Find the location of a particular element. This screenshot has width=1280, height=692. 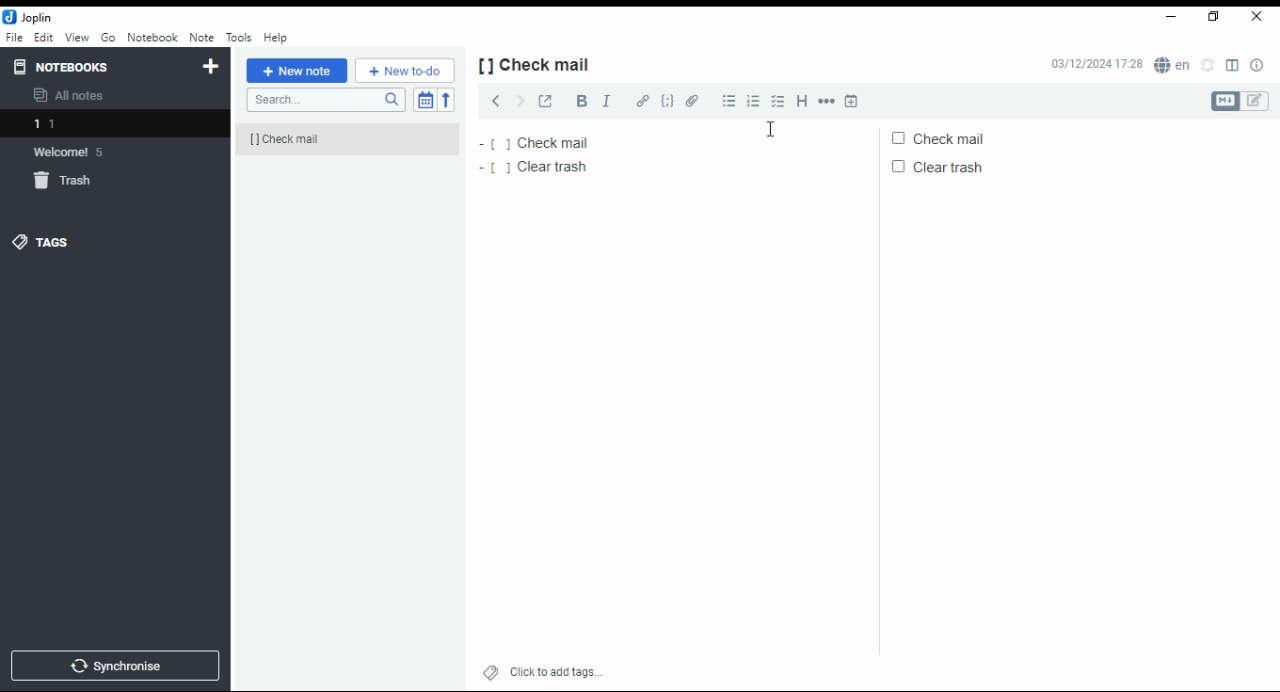

new notebook is located at coordinates (212, 67).